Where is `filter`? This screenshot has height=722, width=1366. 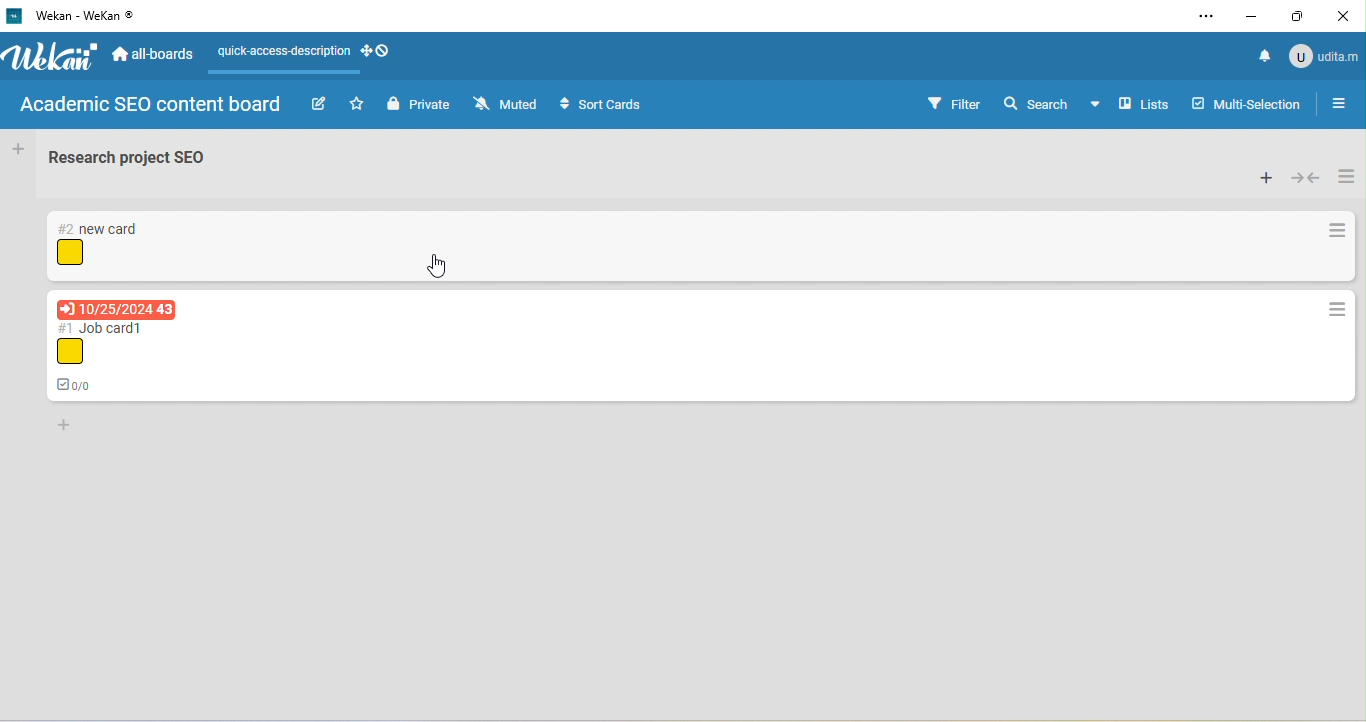
filter is located at coordinates (954, 103).